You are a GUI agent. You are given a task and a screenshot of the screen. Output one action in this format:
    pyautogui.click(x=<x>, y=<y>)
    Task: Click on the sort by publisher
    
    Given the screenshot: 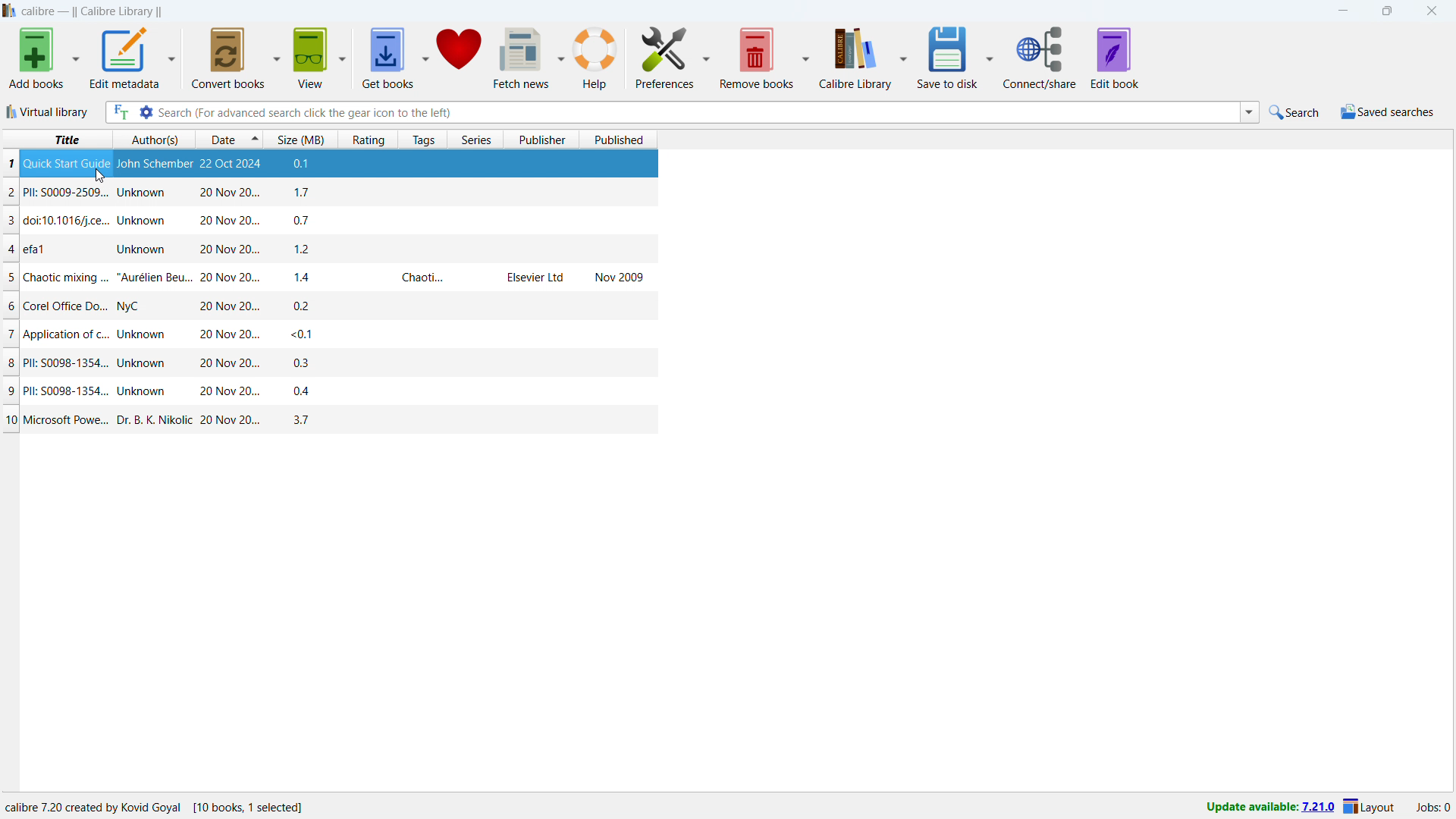 What is the action you would take?
    pyautogui.click(x=541, y=140)
    